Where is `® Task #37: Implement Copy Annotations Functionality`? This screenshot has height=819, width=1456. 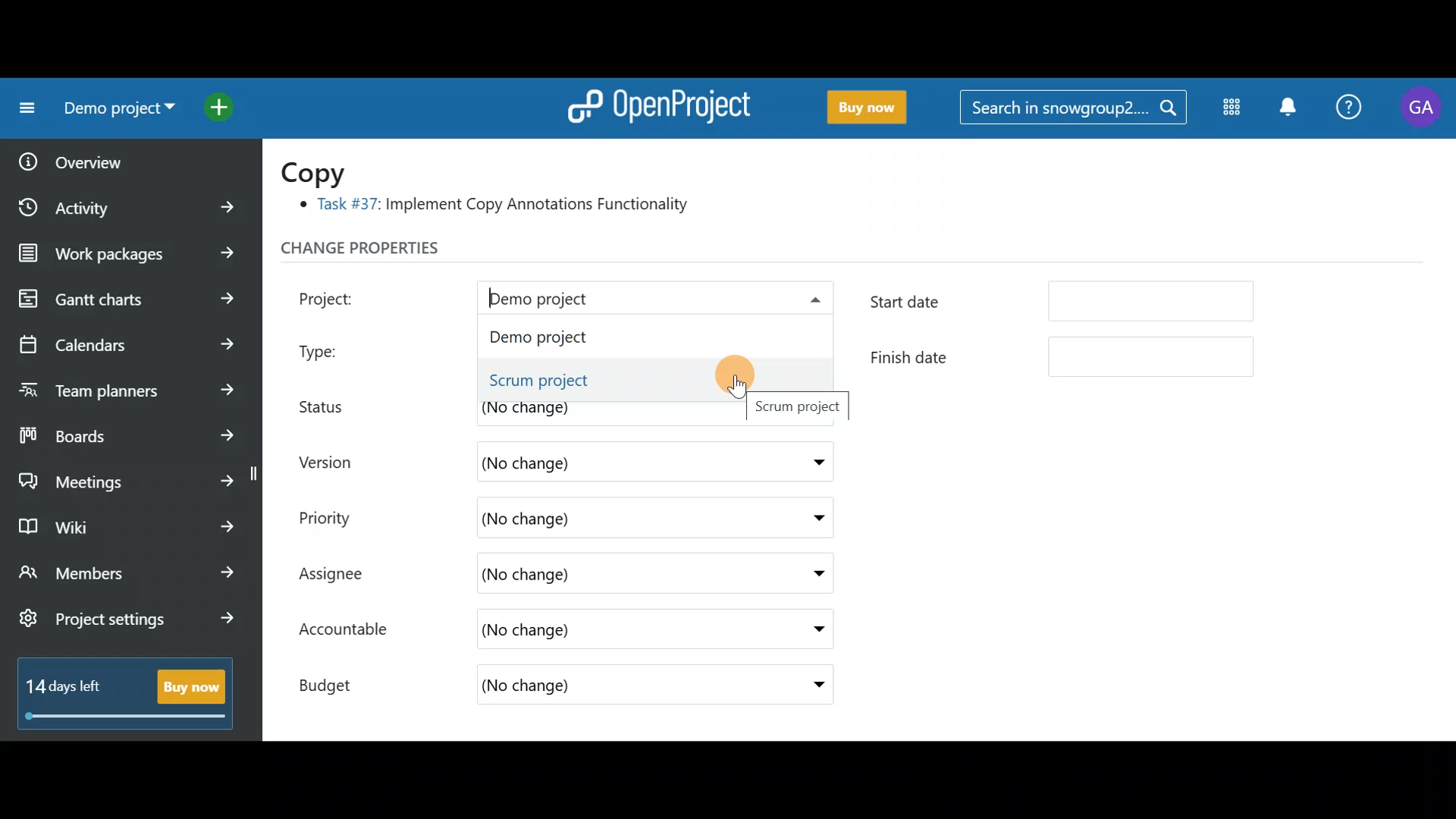 ® Task #37: Implement Copy Annotations Functionality is located at coordinates (500, 207).